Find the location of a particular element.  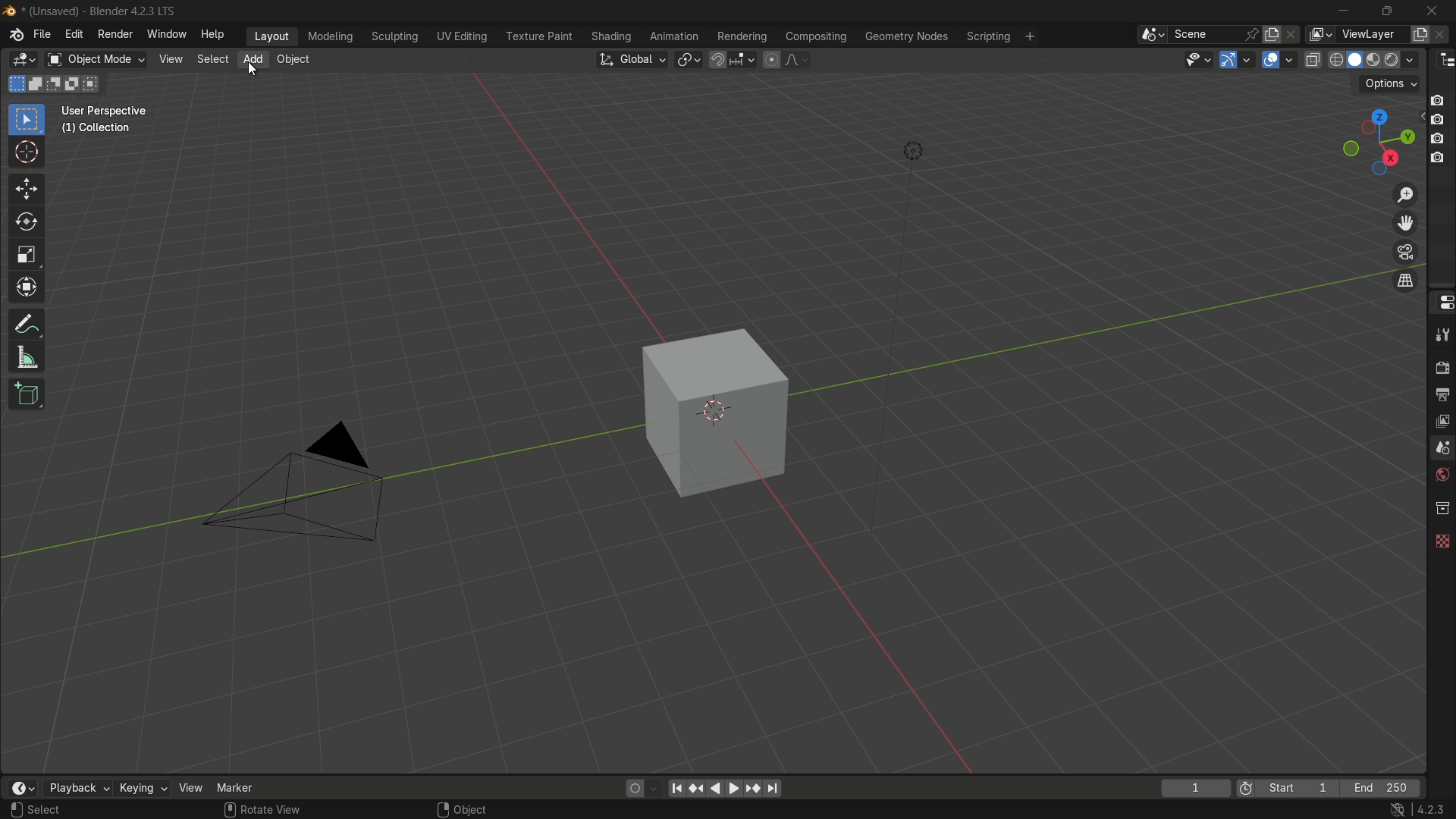

layout menu is located at coordinates (273, 37).